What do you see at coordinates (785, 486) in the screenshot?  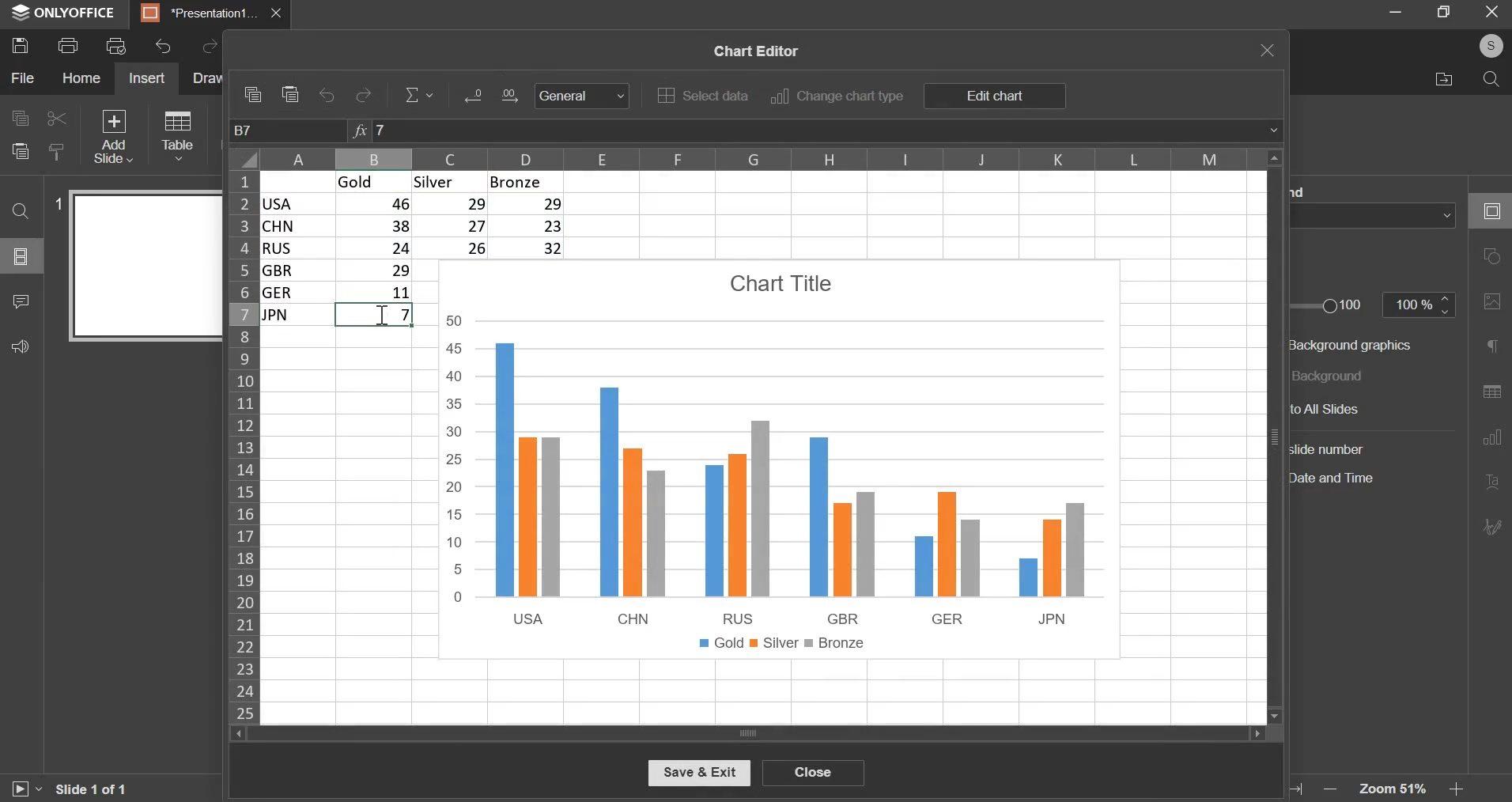 I see `chart` at bounding box center [785, 486].